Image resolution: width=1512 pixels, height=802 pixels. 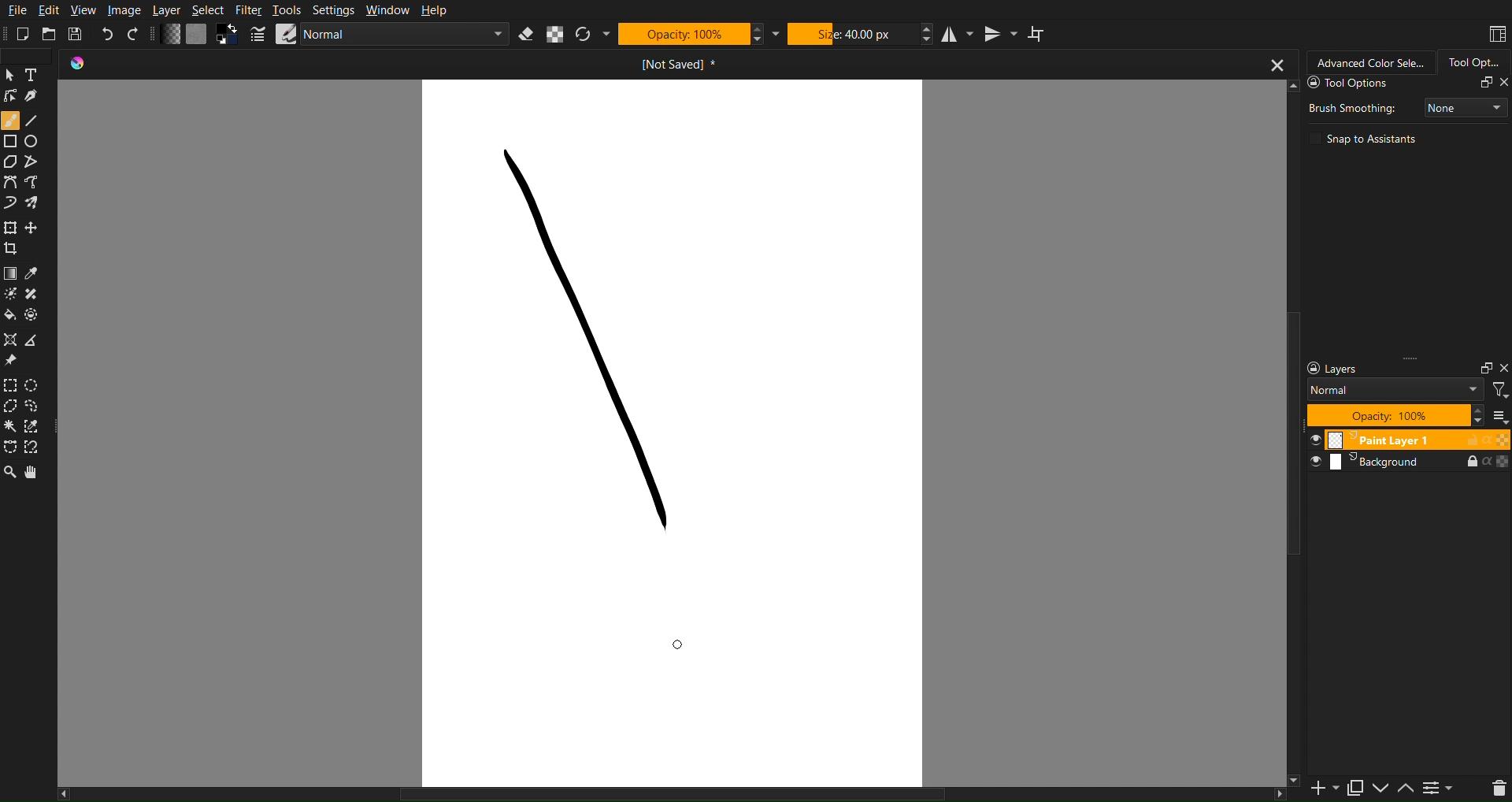 What do you see at coordinates (1496, 34) in the screenshot?
I see `Workspace` at bounding box center [1496, 34].